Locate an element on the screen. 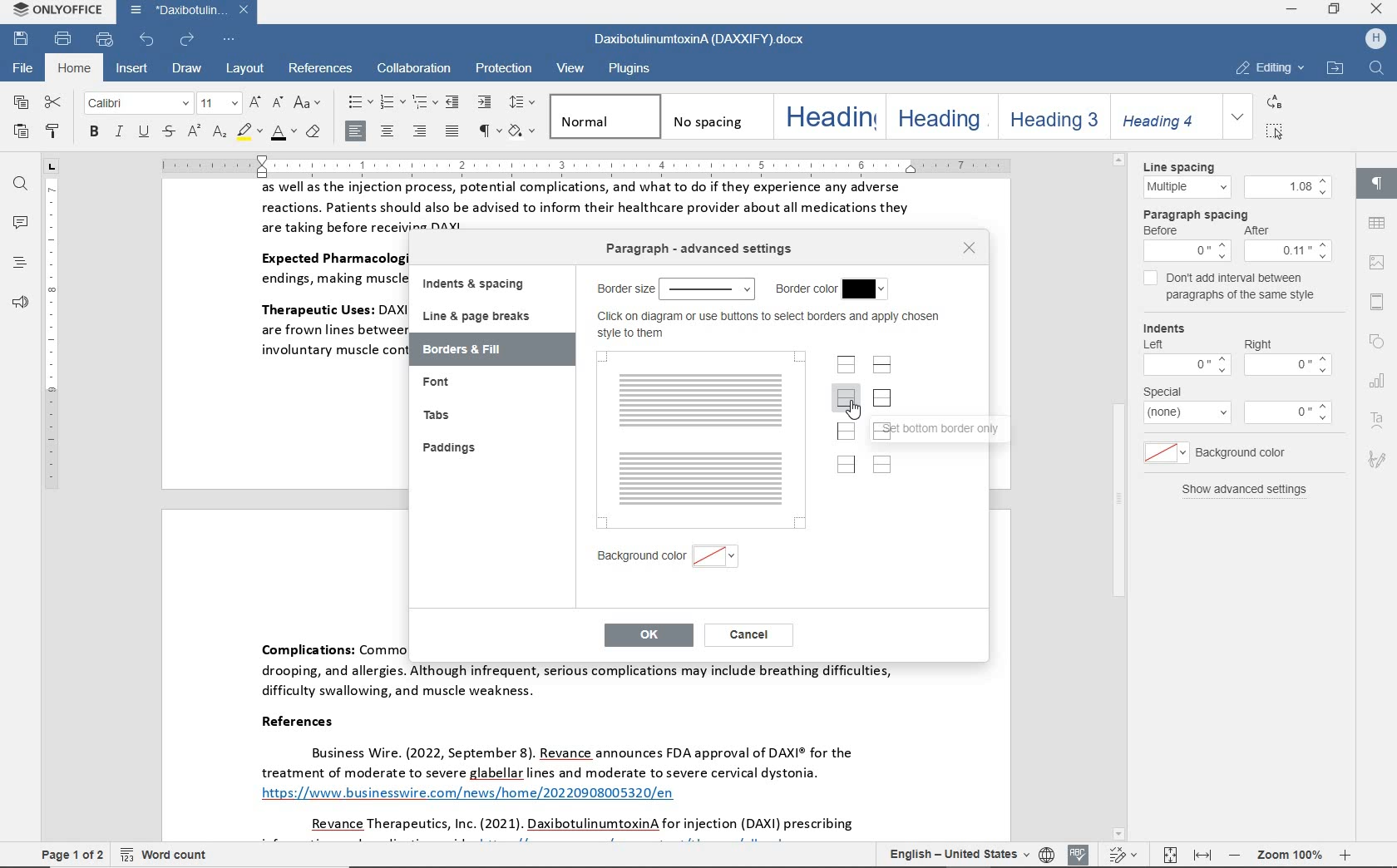  set outer borders and inner lines is located at coordinates (884, 429).